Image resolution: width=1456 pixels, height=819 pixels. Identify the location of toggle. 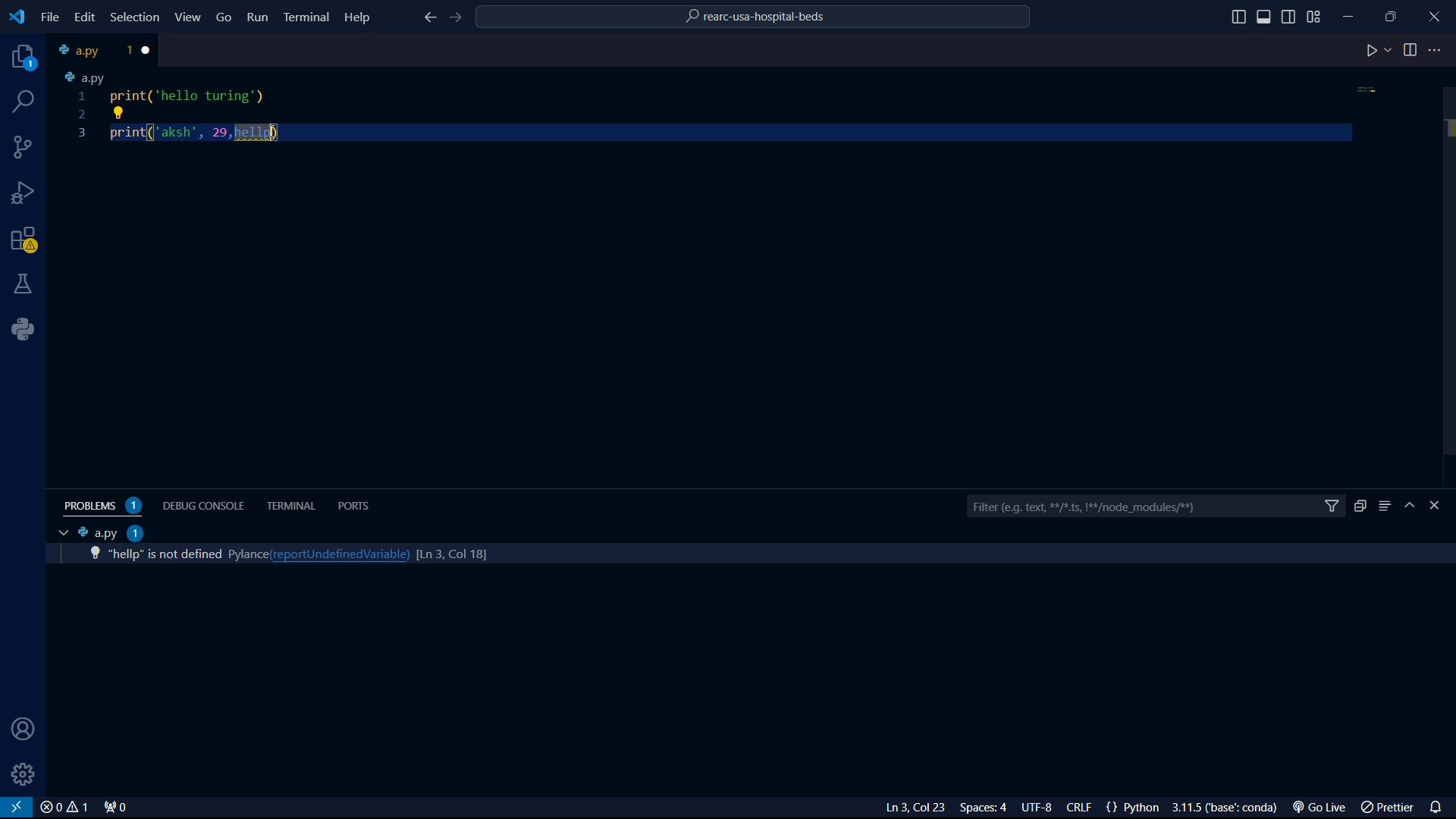
(1410, 50).